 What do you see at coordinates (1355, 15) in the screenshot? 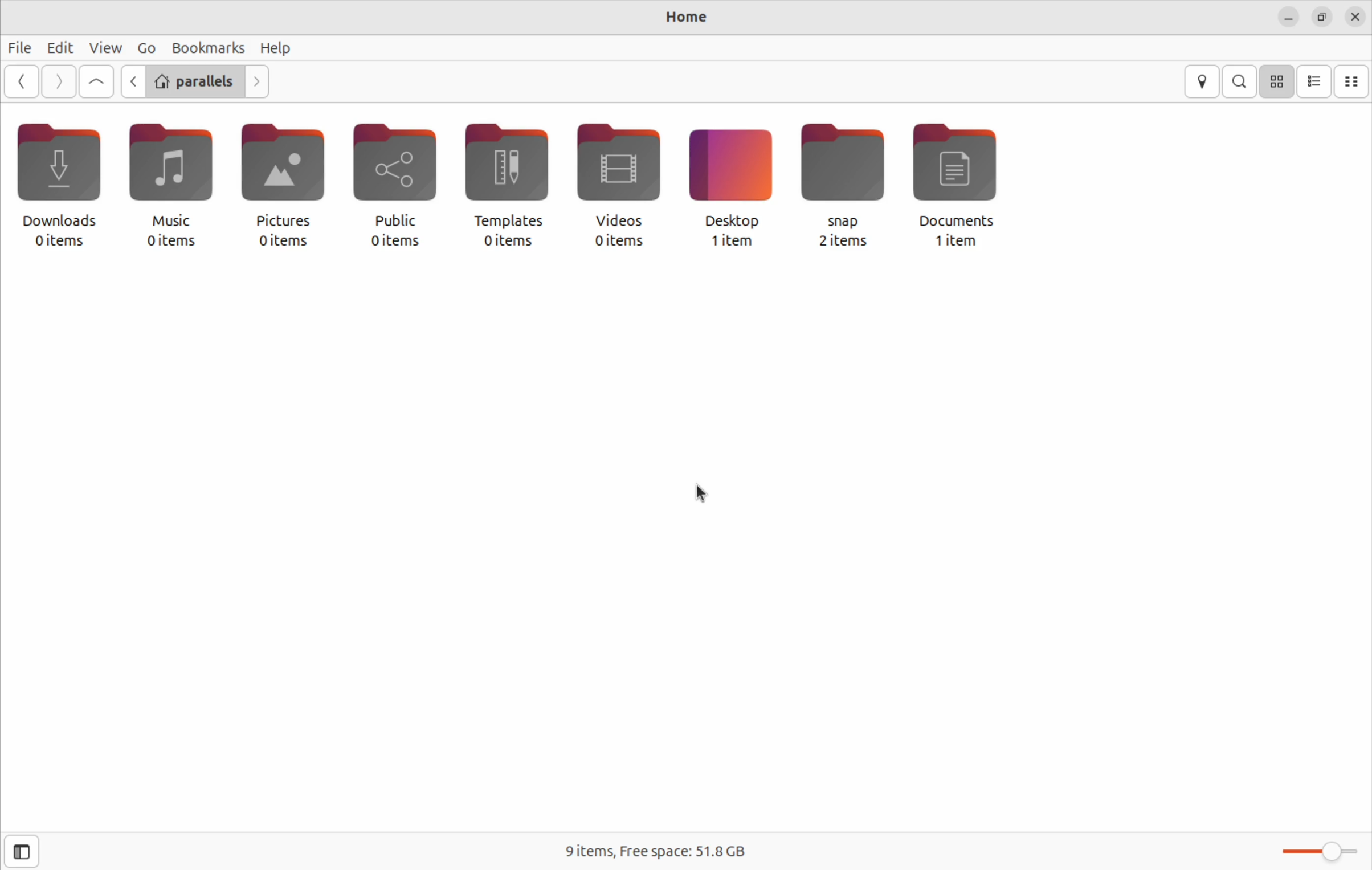
I see `close` at bounding box center [1355, 15].